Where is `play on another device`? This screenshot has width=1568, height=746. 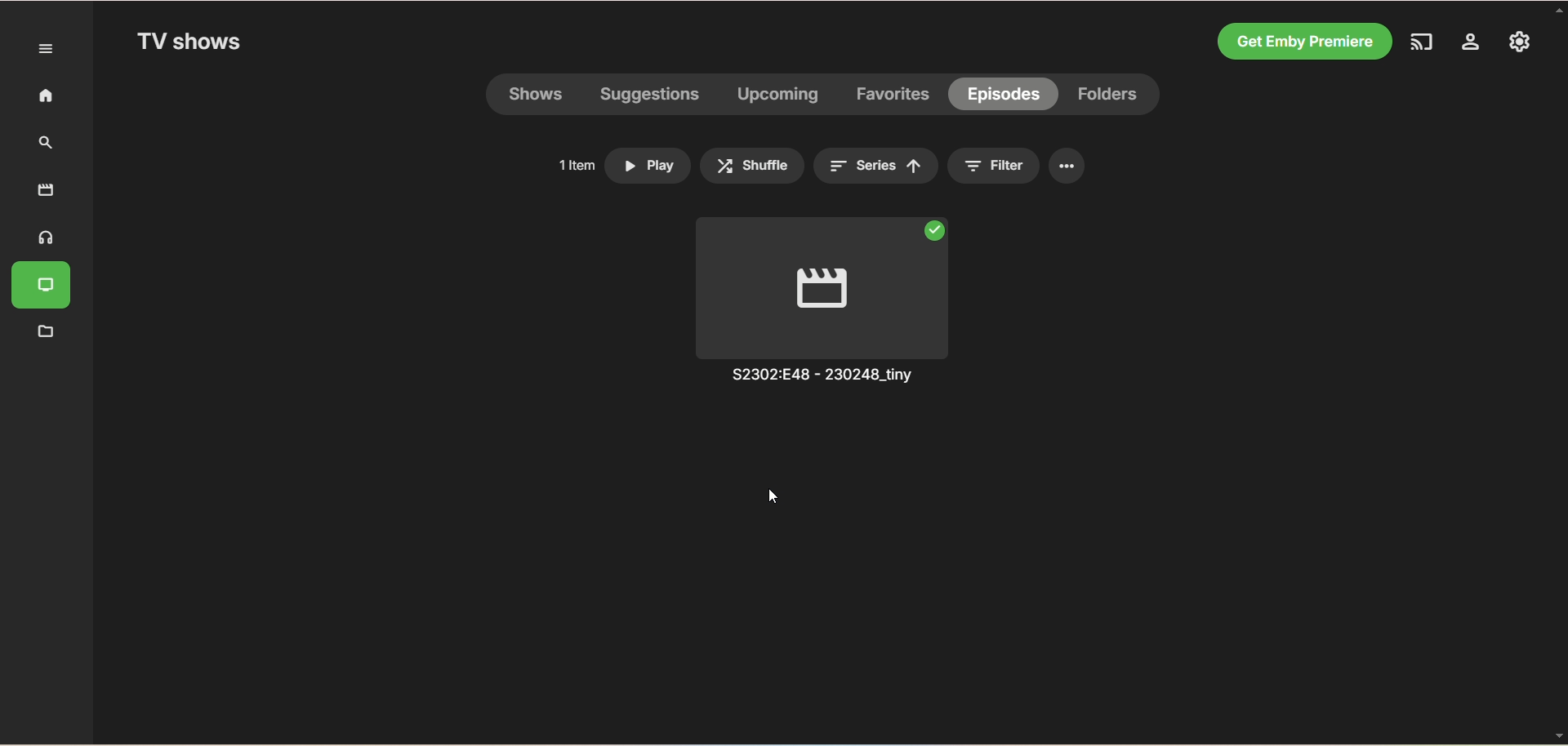 play on another device is located at coordinates (1428, 44).